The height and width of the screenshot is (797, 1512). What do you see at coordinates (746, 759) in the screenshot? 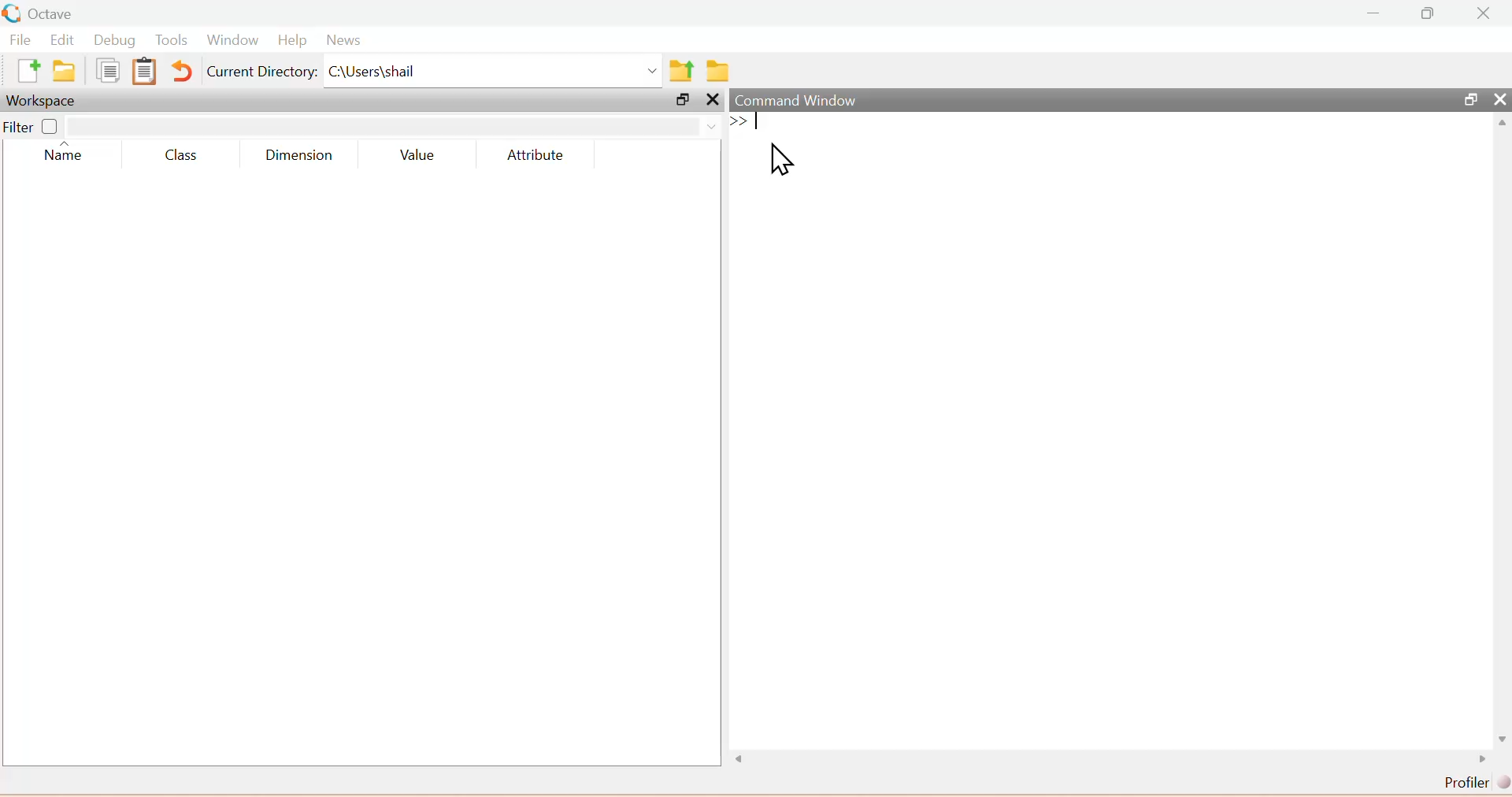
I see `` at bounding box center [746, 759].